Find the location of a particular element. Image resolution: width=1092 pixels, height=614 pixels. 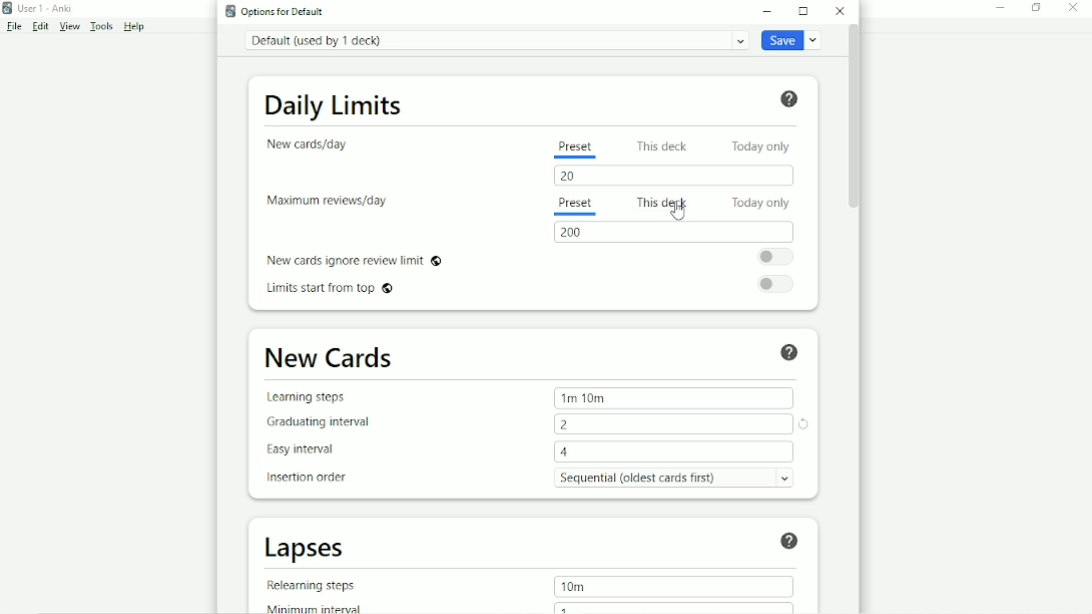

User 1 - Anki is located at coordinates (45, 7).